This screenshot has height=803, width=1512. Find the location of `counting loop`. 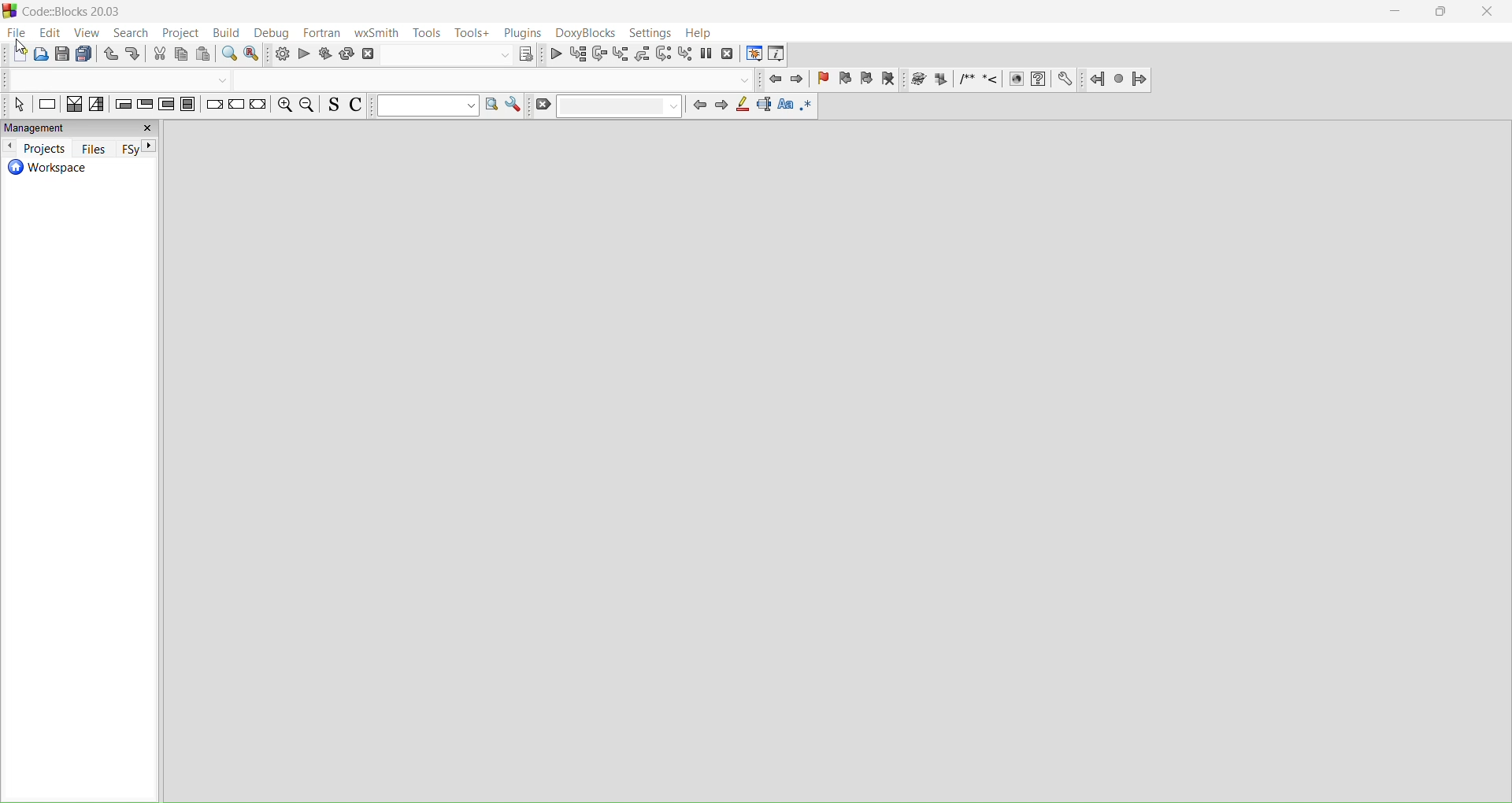

counting loop is located at coordinates (165, 105).